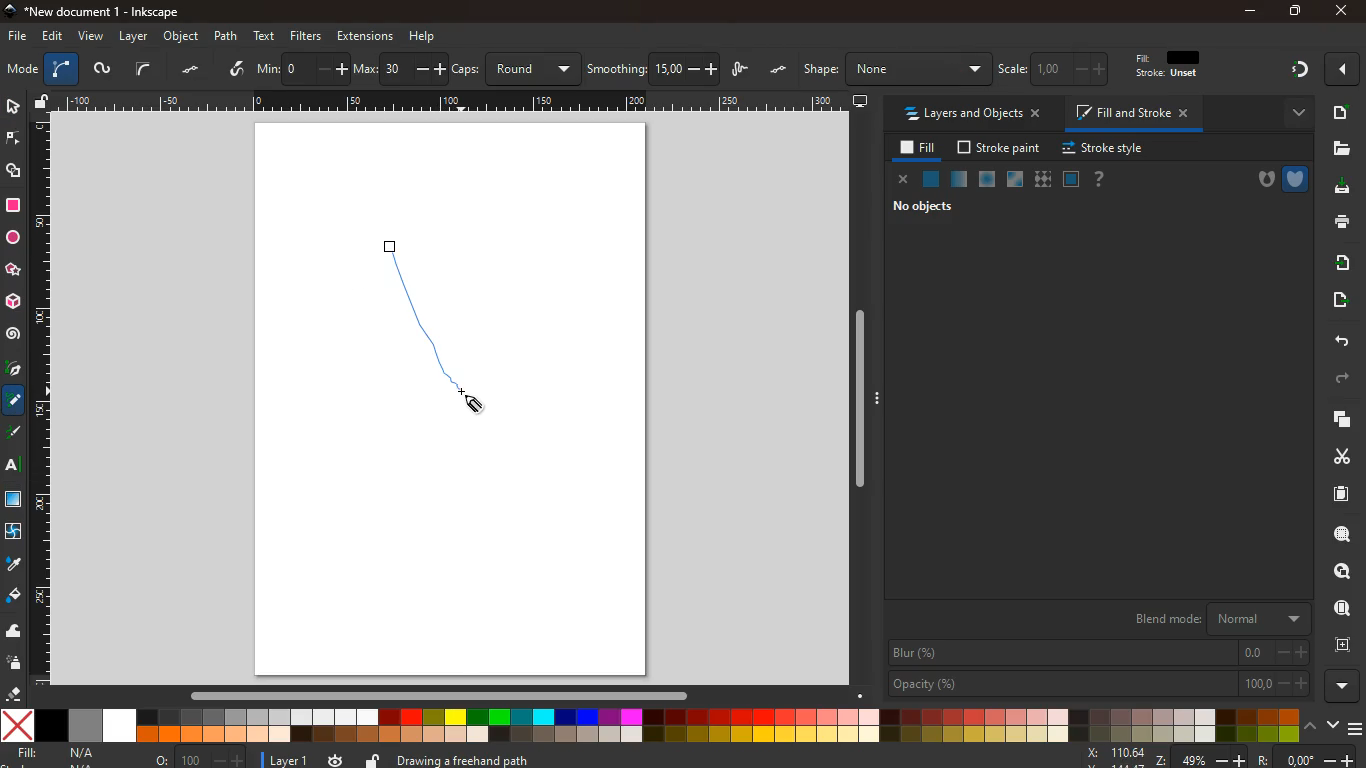  I want to click on unlock, so click(43, 103).